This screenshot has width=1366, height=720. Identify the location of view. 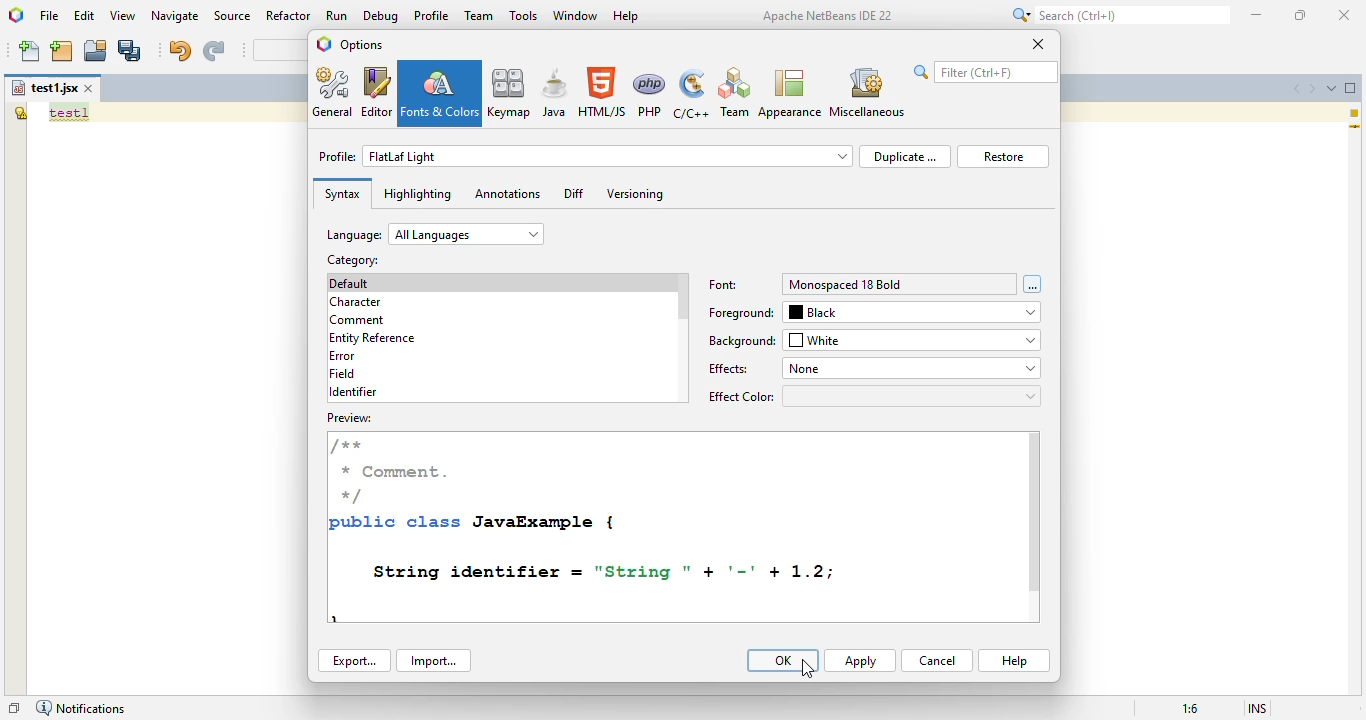
(123, 16).